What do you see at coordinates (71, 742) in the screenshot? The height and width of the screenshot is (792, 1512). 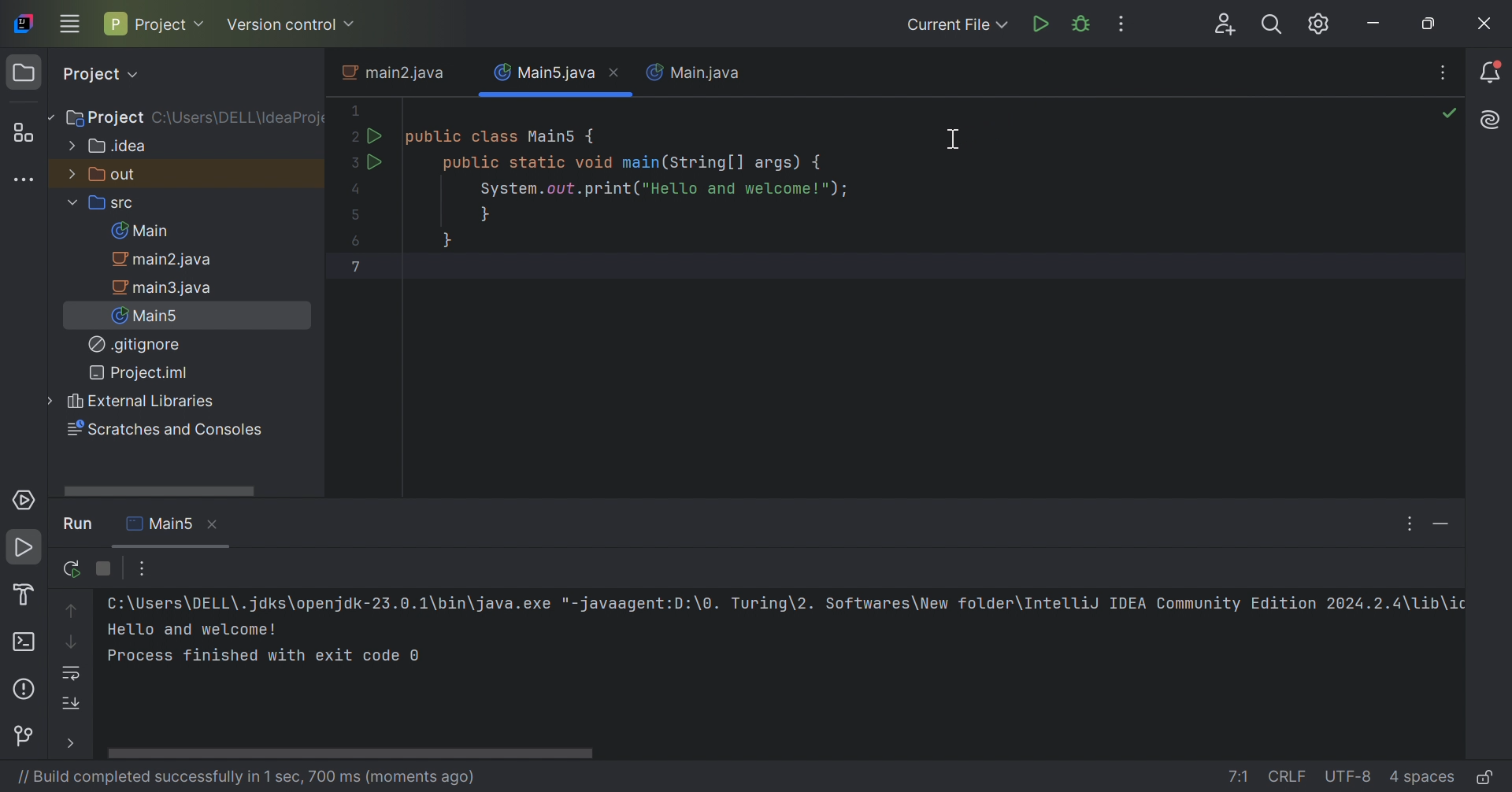 I see `More` at bounding box center [71, 742].